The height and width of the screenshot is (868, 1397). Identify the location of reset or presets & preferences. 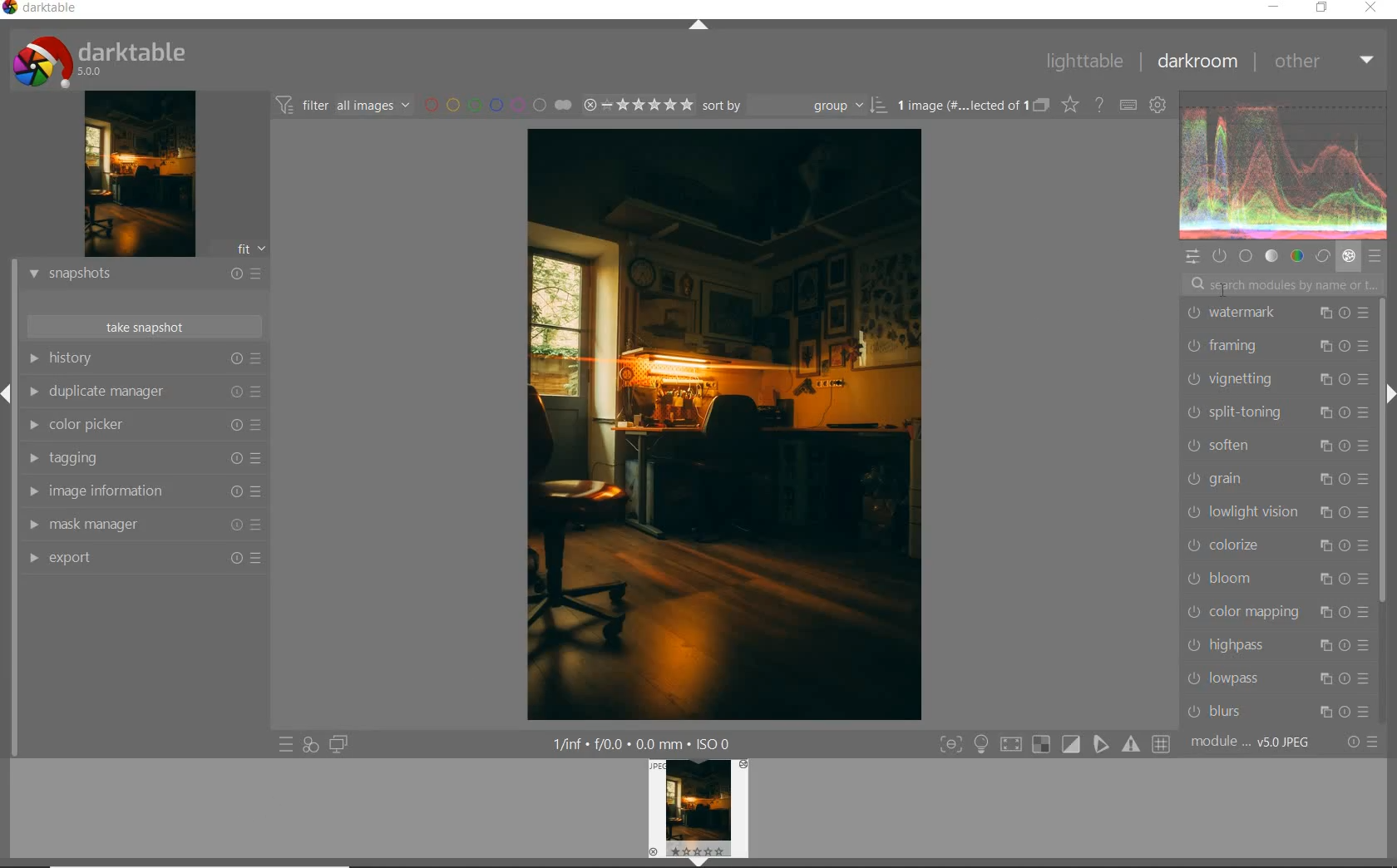
(1362, 740).